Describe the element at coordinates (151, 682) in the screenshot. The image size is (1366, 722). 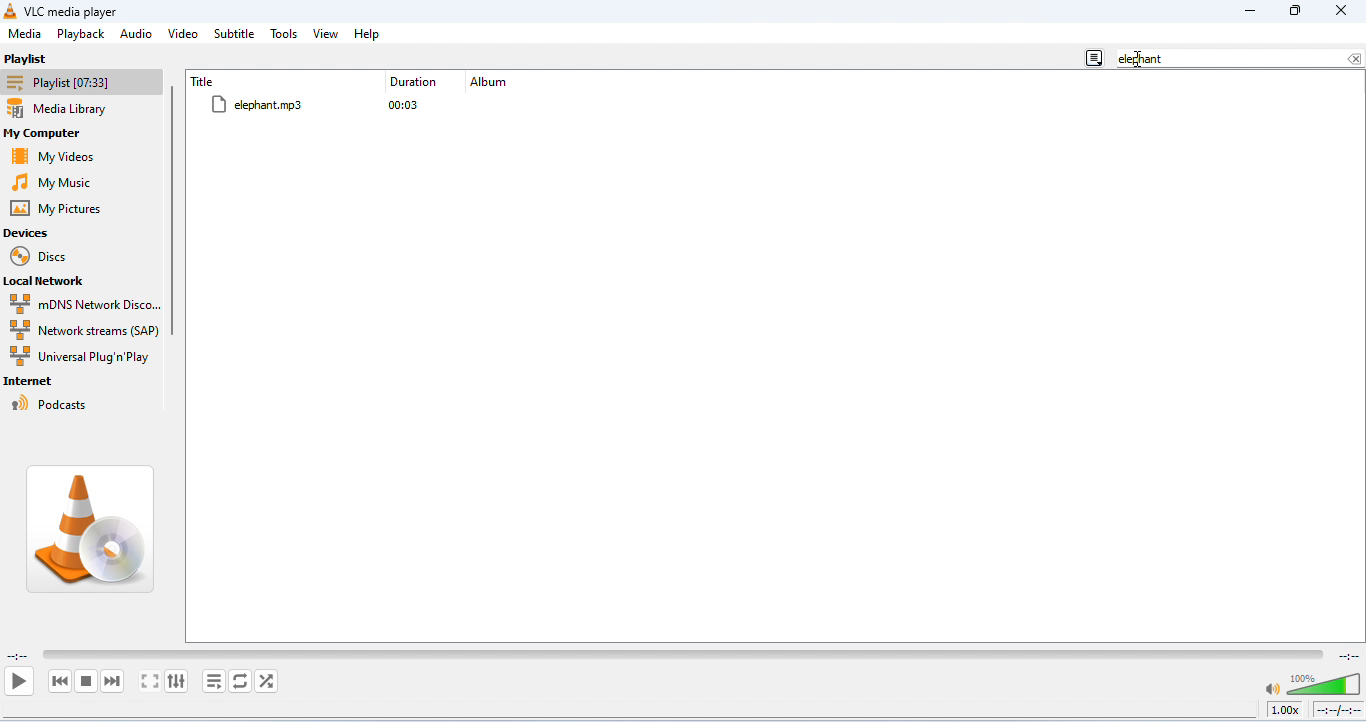
I see `toggle full screen ` at that location.